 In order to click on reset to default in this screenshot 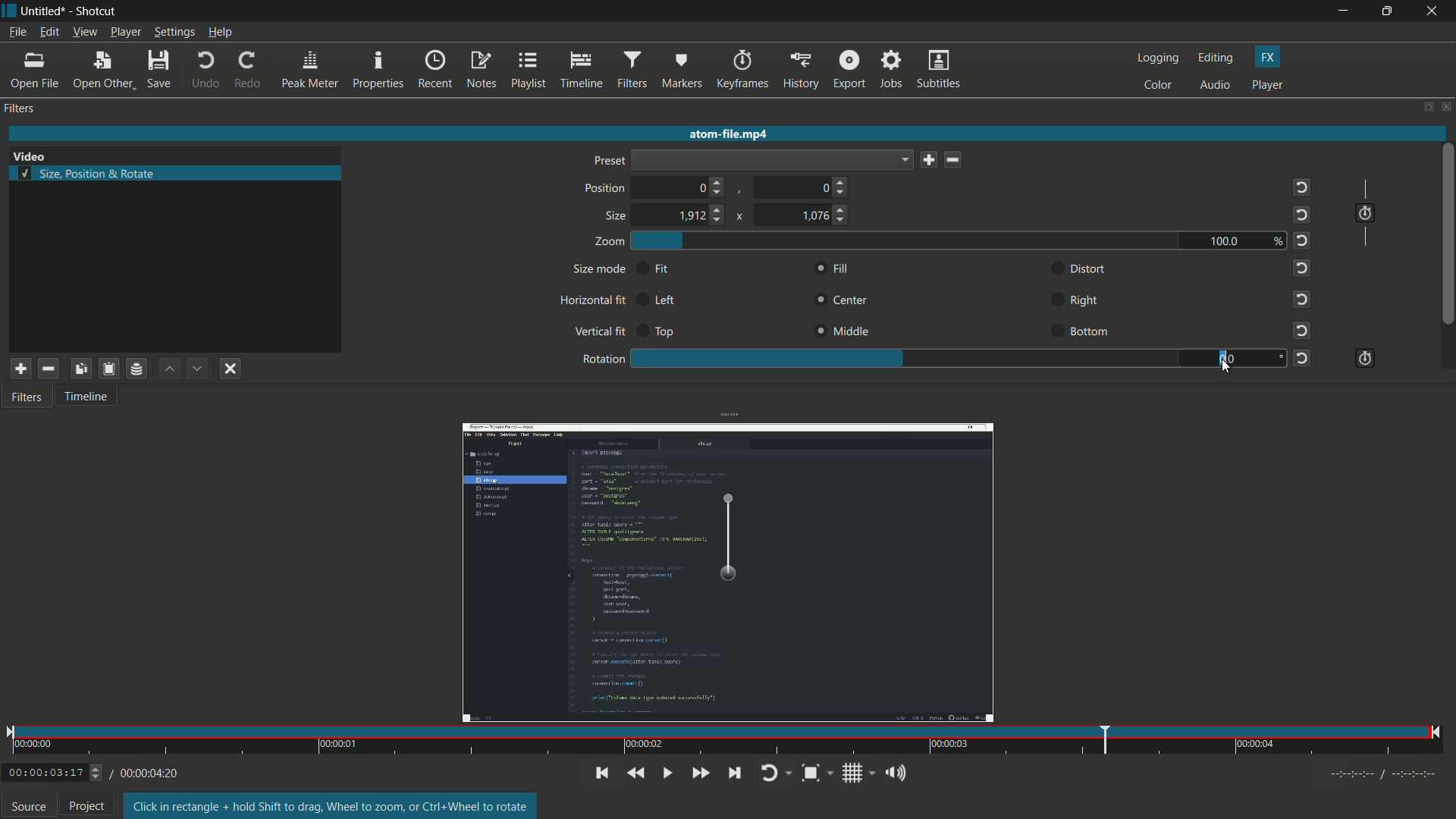, I will do `click(1303, 215)`.